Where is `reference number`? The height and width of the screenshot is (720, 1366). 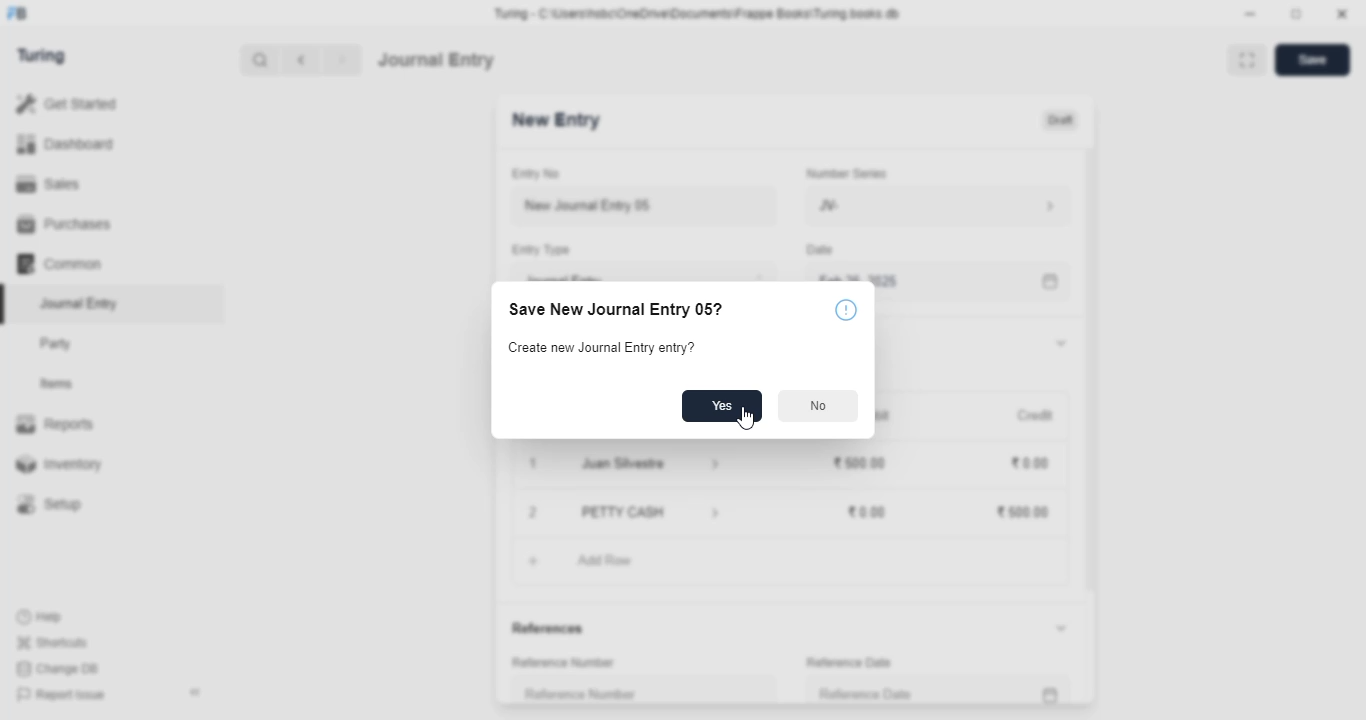
reference number is located at coordinates (642, 690).